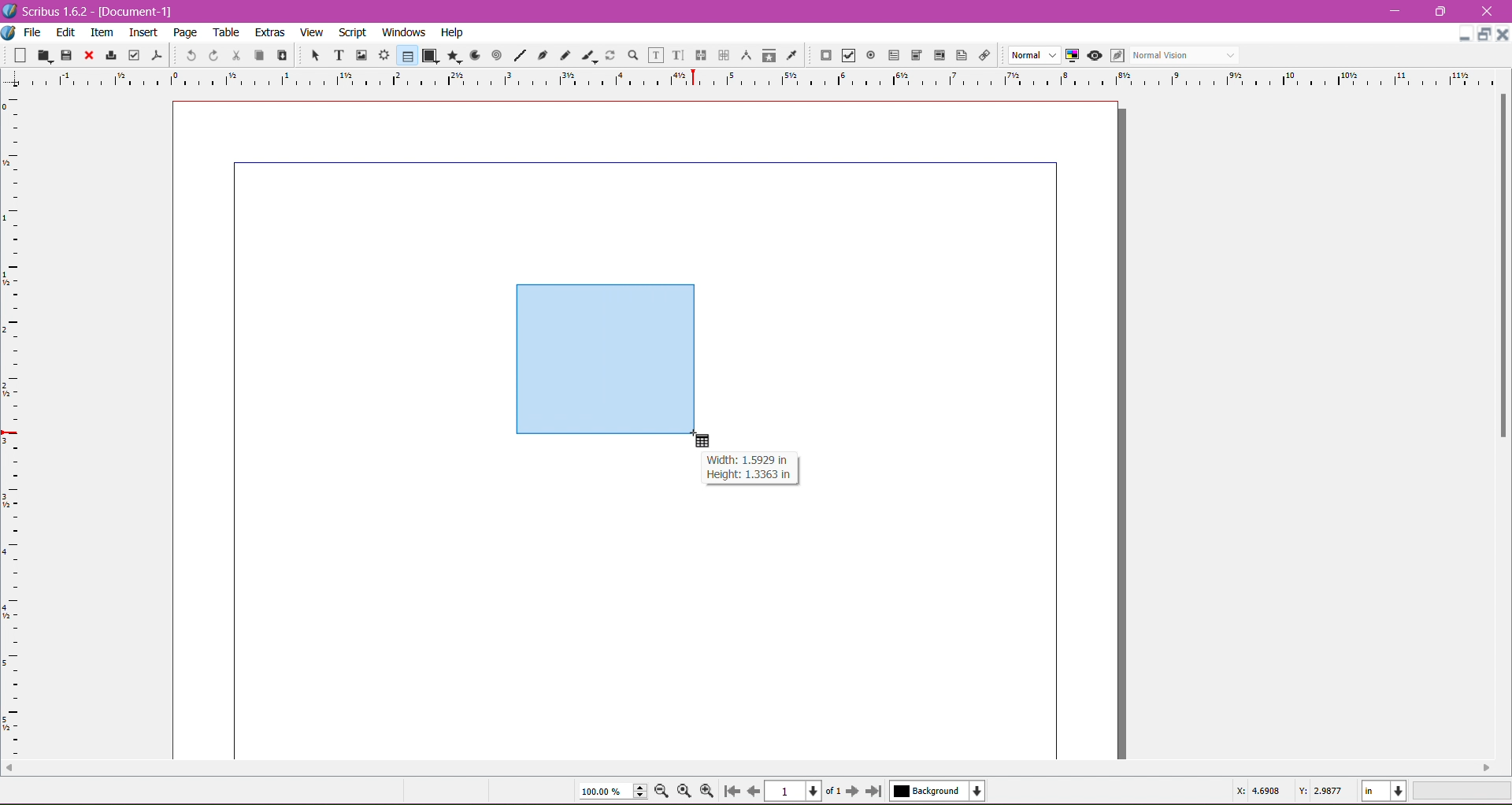  What do you see at coordinates (656, 55) in the screenshot?
I see `Edit Text in Frames` at bounding box center [656, 55].